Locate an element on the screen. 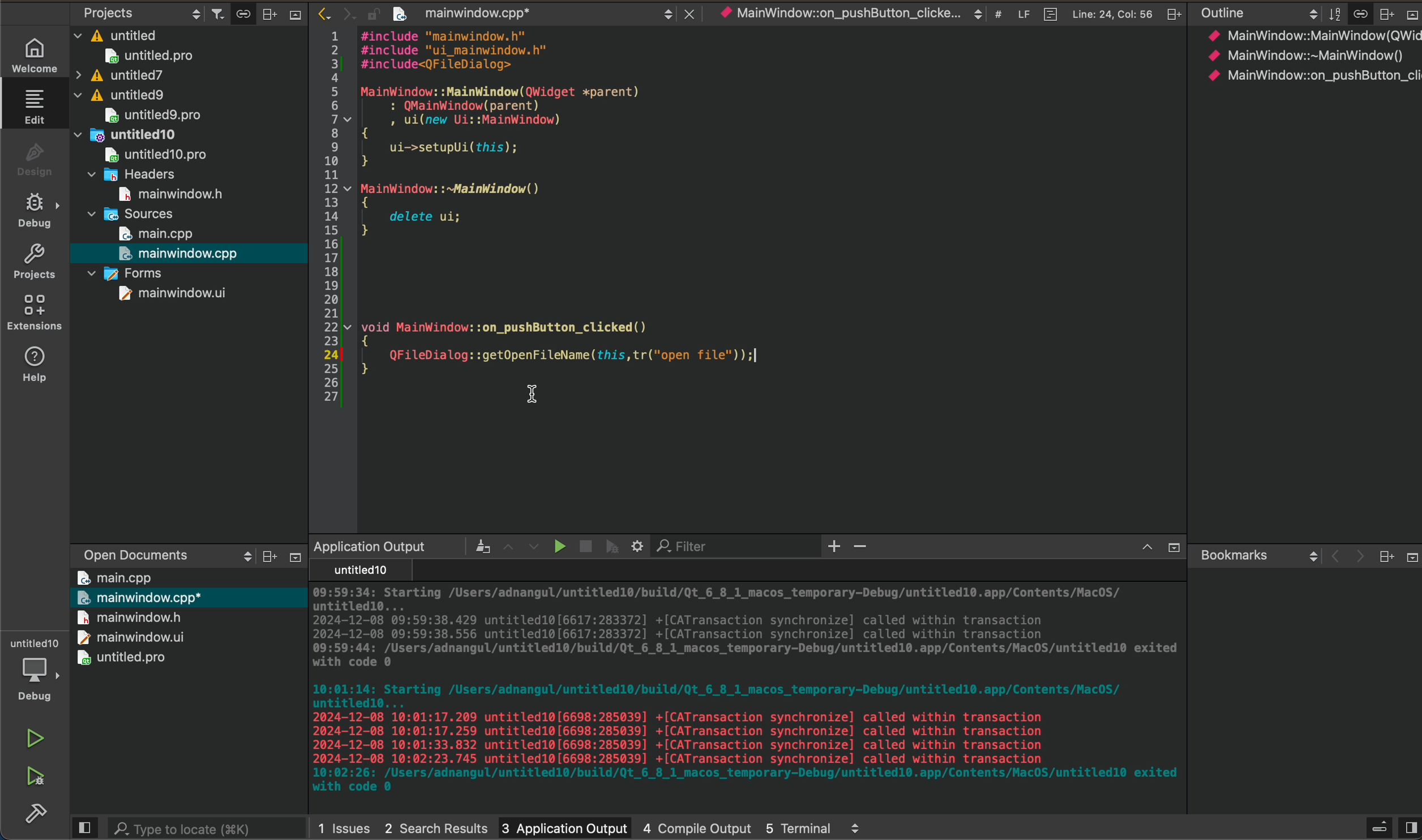 Image resolution: width=1422 pixels, height=840 pixels. mainwindow h is located at coordinates (173, 192).